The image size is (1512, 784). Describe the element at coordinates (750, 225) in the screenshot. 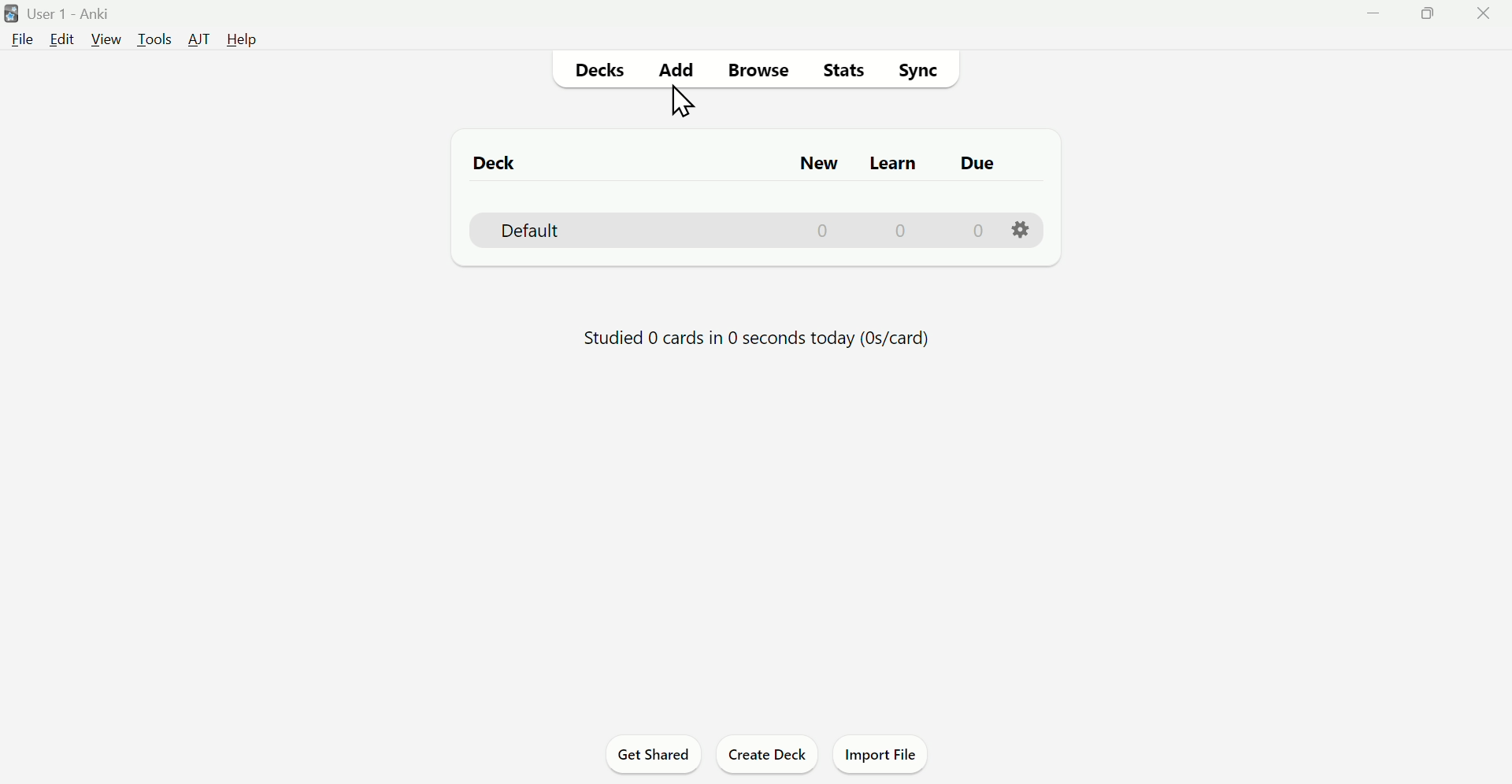

I see `Deck` at that location.